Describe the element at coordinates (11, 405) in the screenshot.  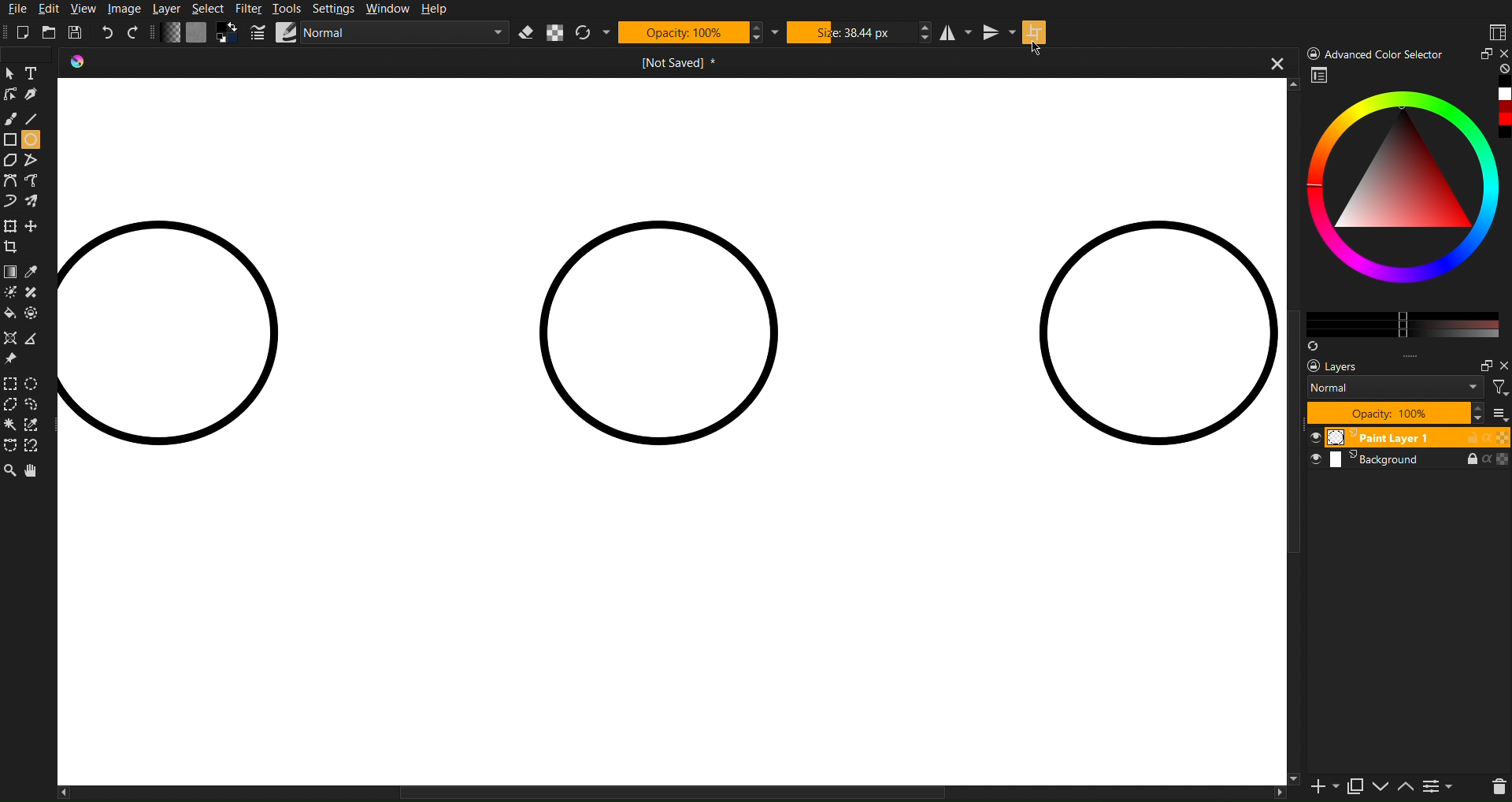
I see `Selction polygon` at that location.